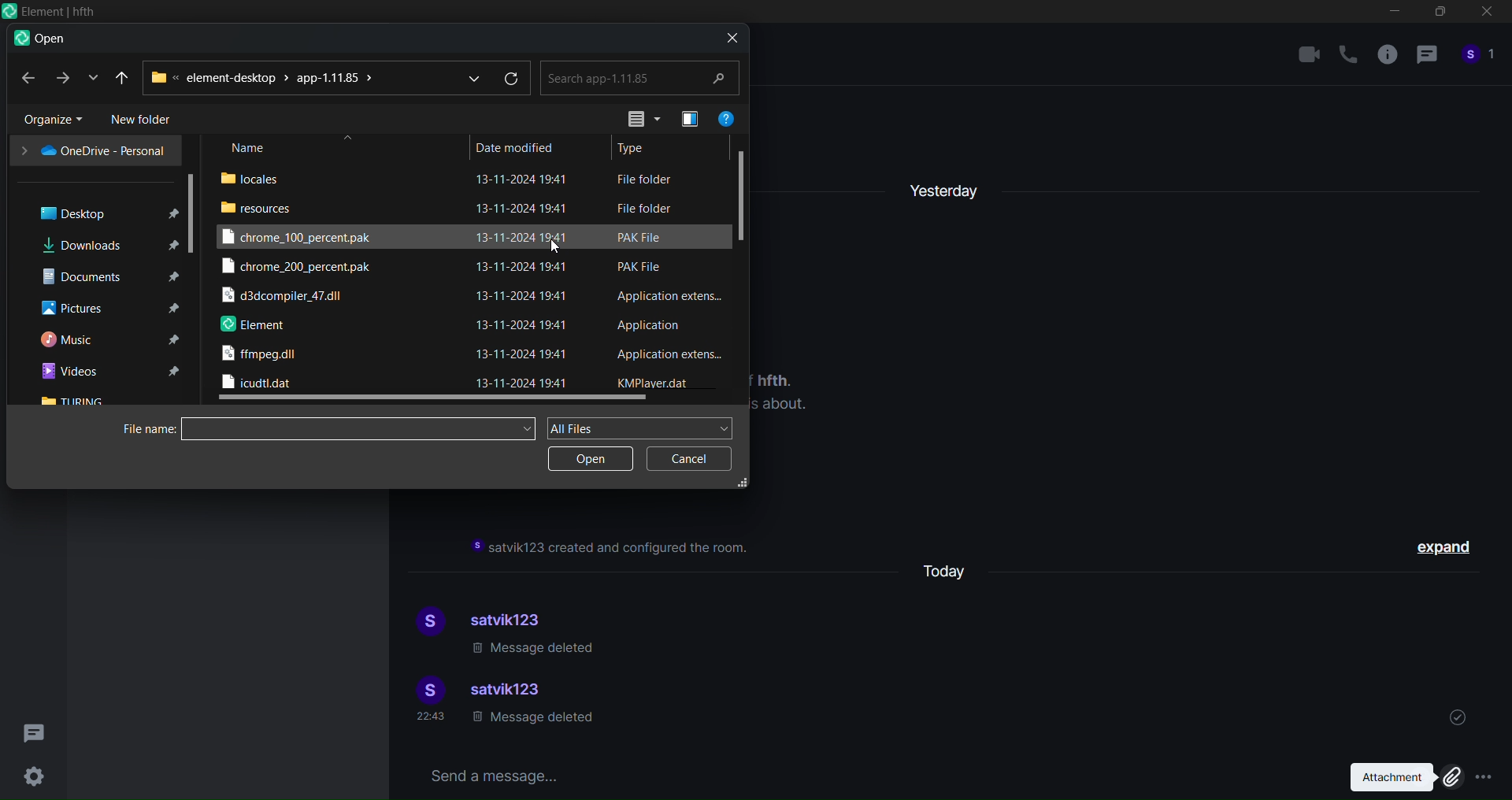 The image size is (1512, 800). Describe the element at coordinates (34, 776) in the screenshot. I see `setting` at that location.